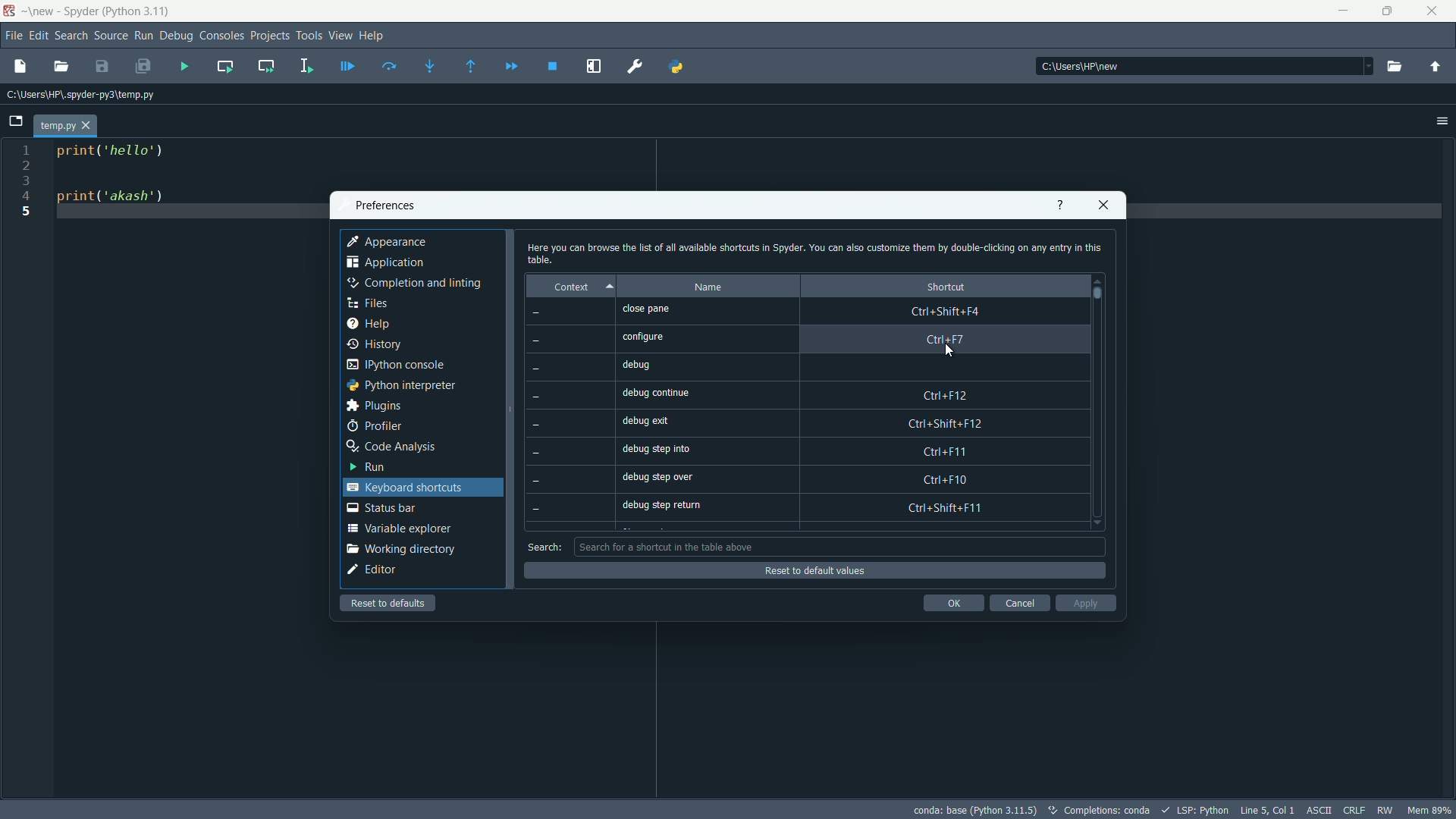  I want to click on projects menu, so click(270, 36).